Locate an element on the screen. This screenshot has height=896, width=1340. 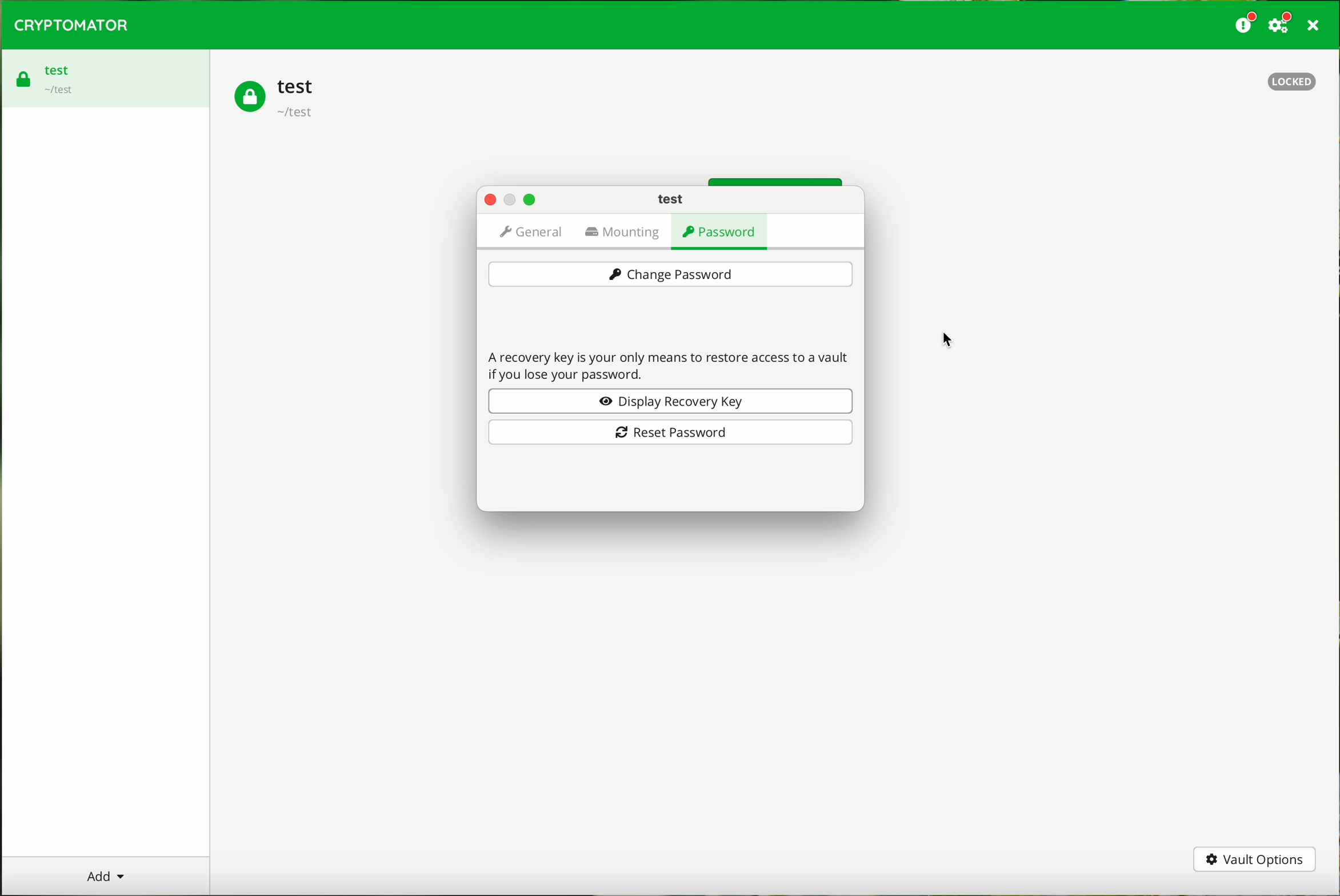
settings is located at coordinates (1282, 23).